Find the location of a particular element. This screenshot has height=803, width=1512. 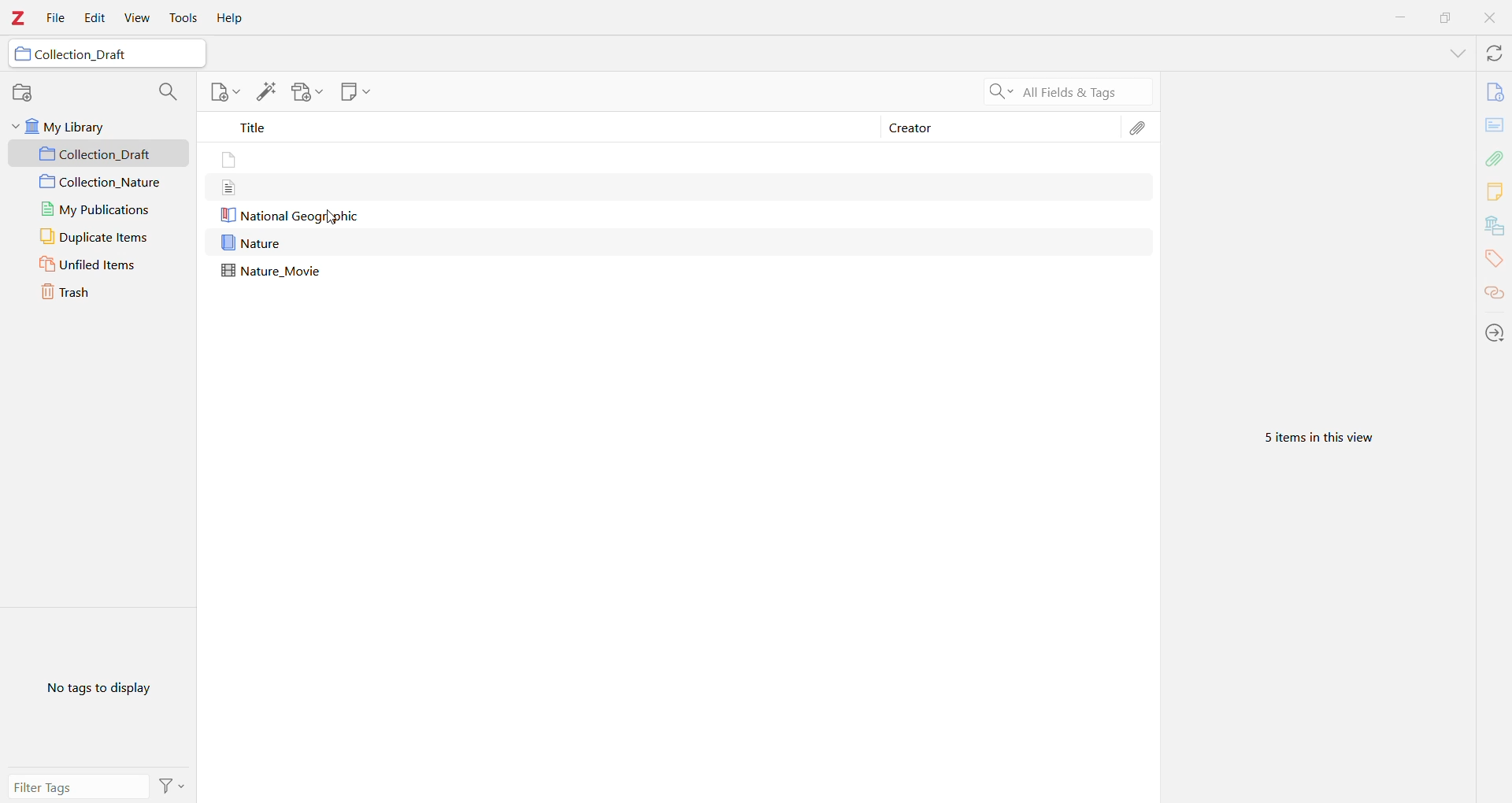

nature is located at coordinates (254, 243).